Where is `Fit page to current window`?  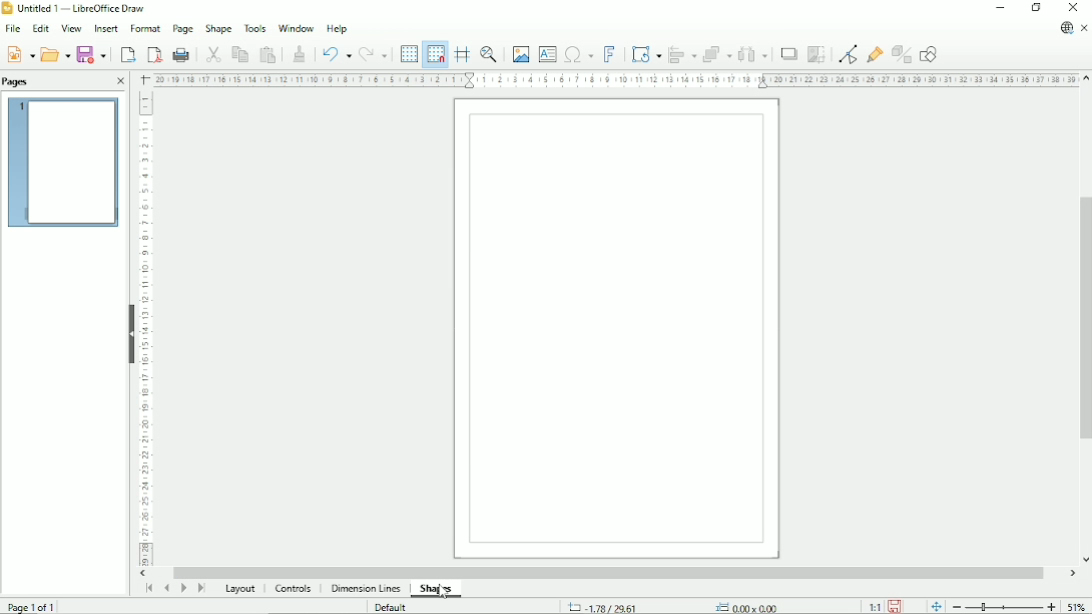 Fit page to current window is located at coordinates (936, 606).